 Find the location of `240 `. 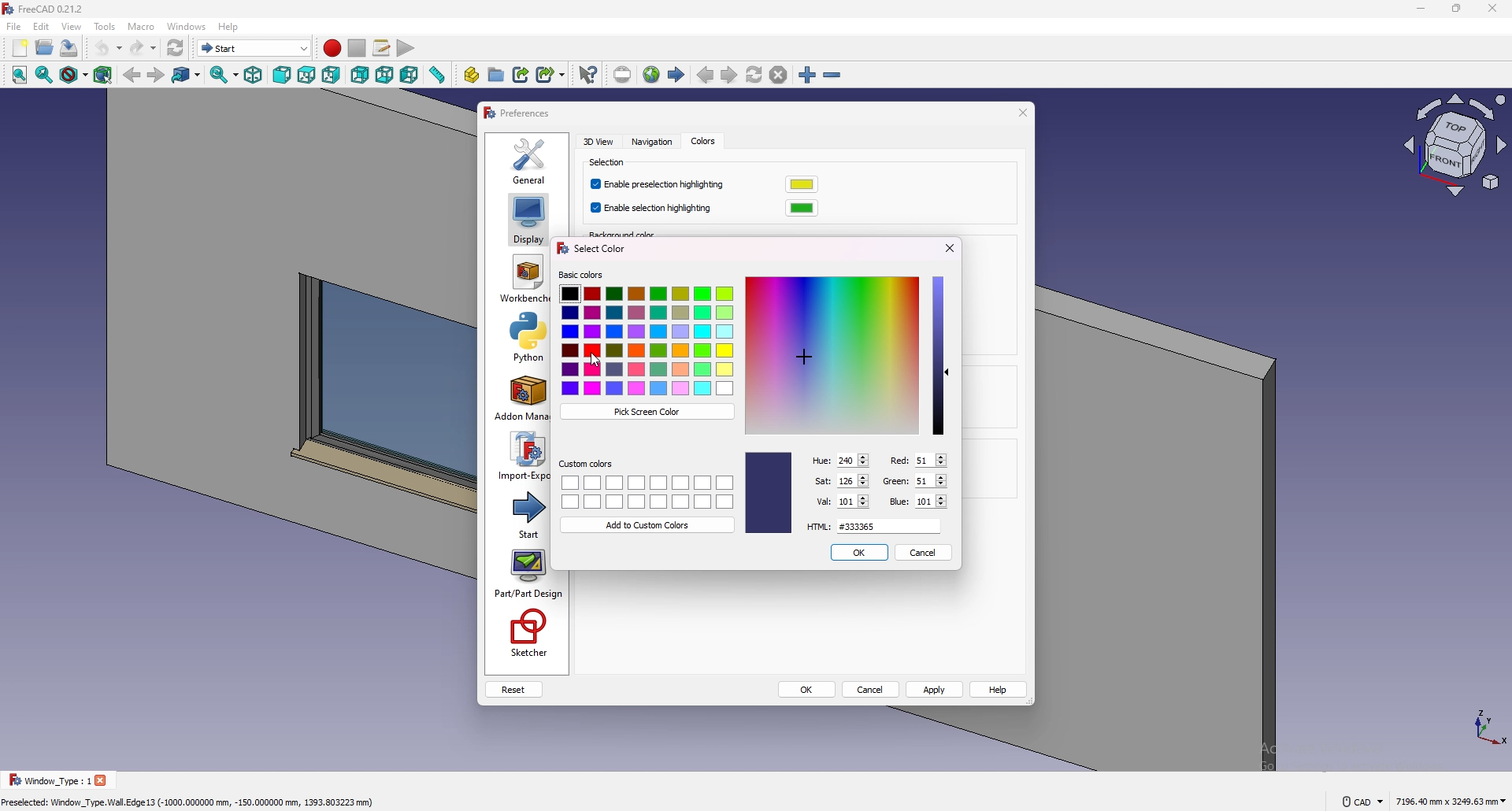

240  is located at coordinates (852, 460).